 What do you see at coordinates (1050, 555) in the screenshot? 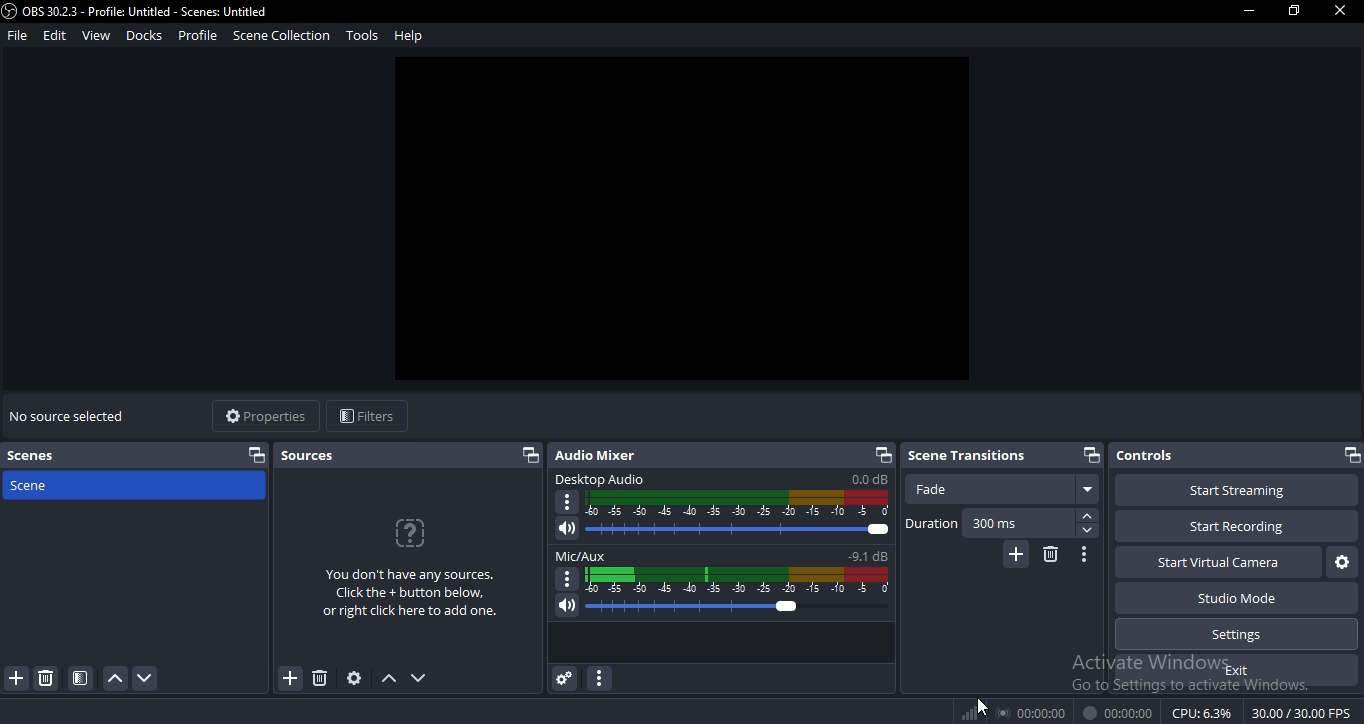
I see `delete scene transition` at bounding box center [1050, 555].